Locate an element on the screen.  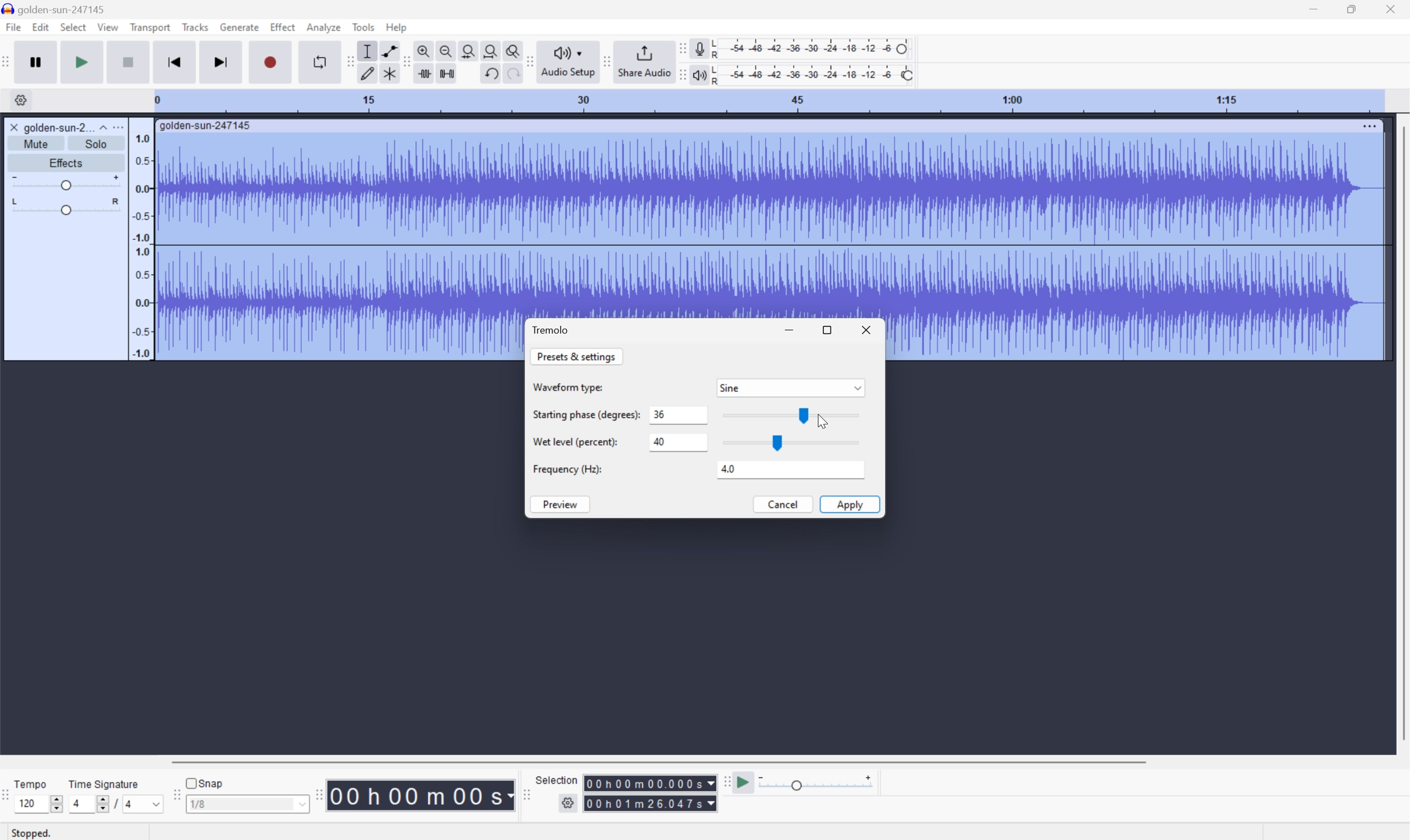
Audacity audio share toolbar is located at coordinates (530, 59).